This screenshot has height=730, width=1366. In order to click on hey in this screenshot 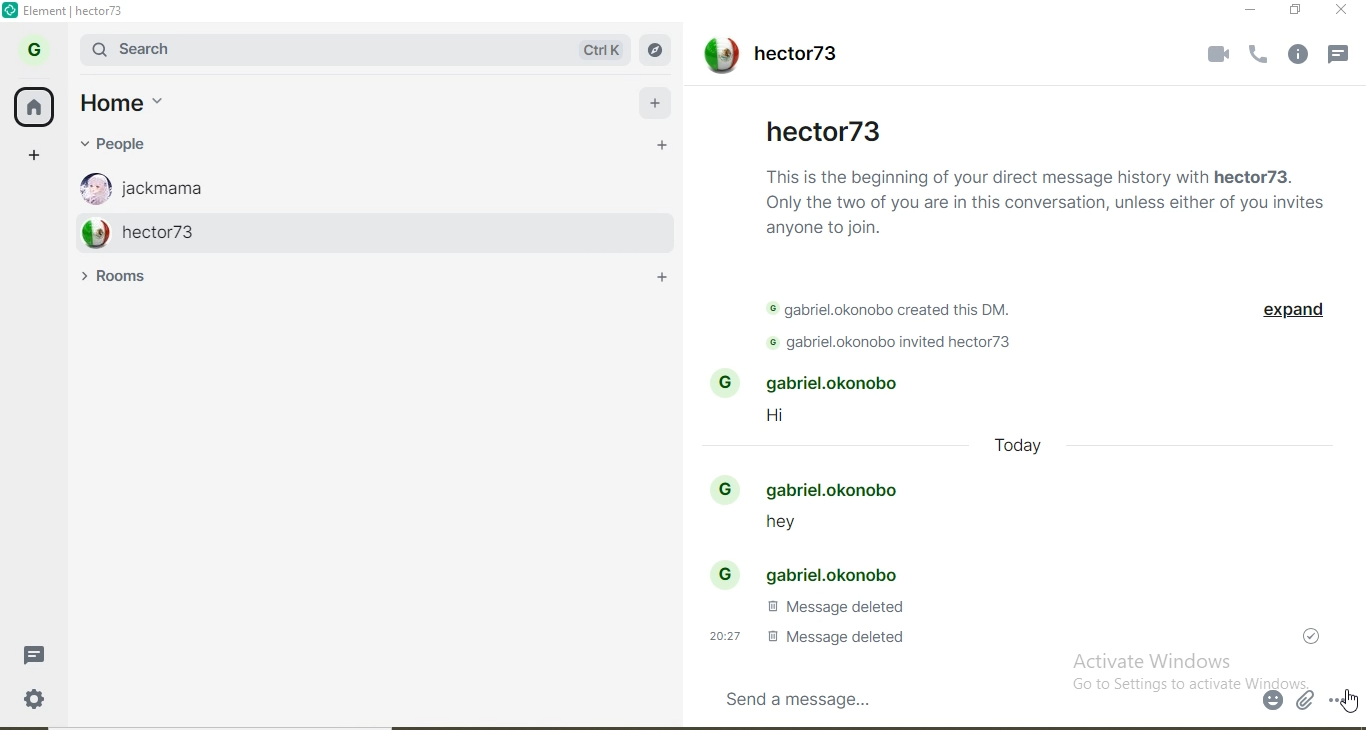, I will do `click(772, 527)`.